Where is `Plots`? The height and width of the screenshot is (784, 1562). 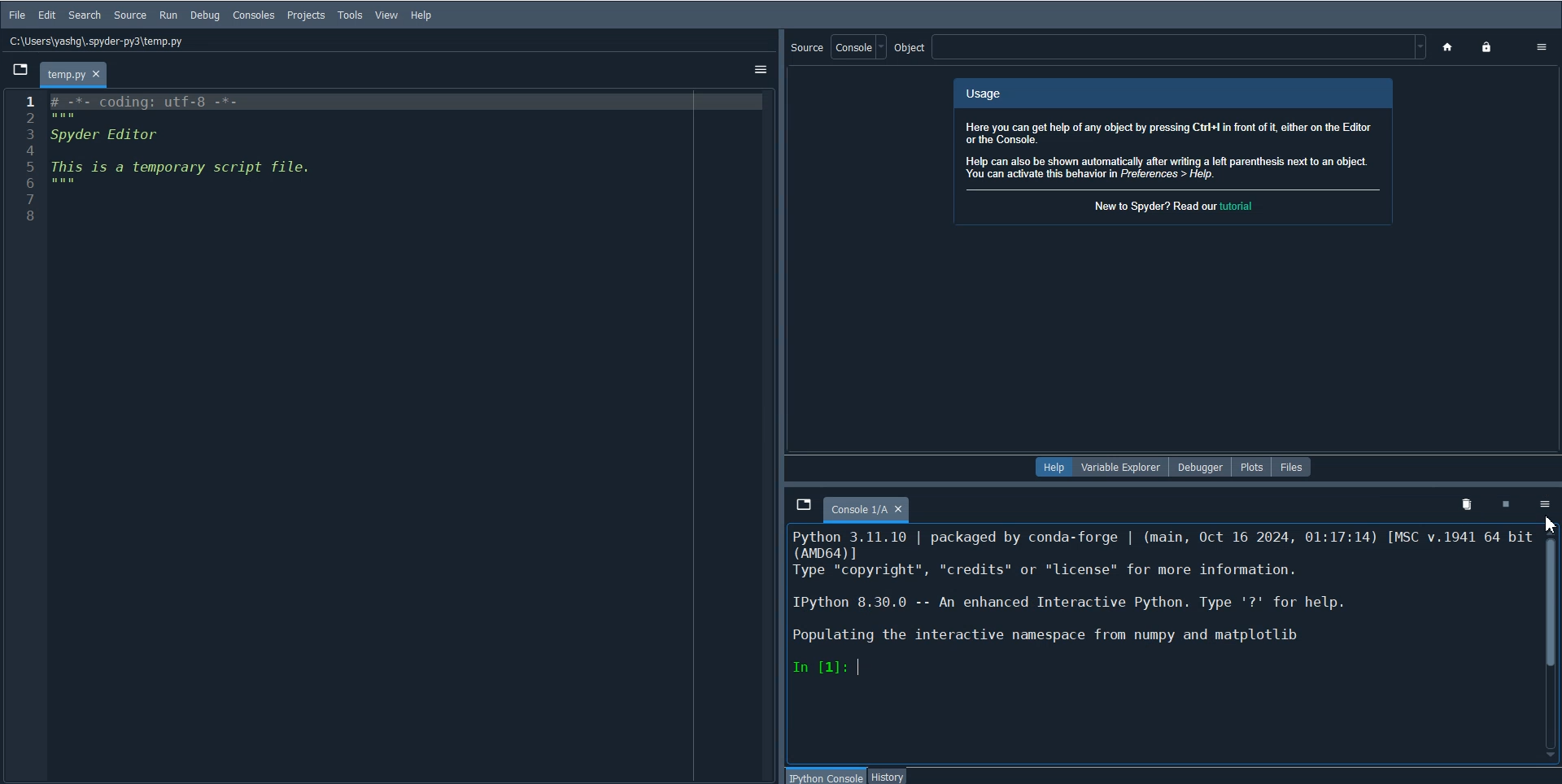
Plots is located at coordinates (1250, 466).